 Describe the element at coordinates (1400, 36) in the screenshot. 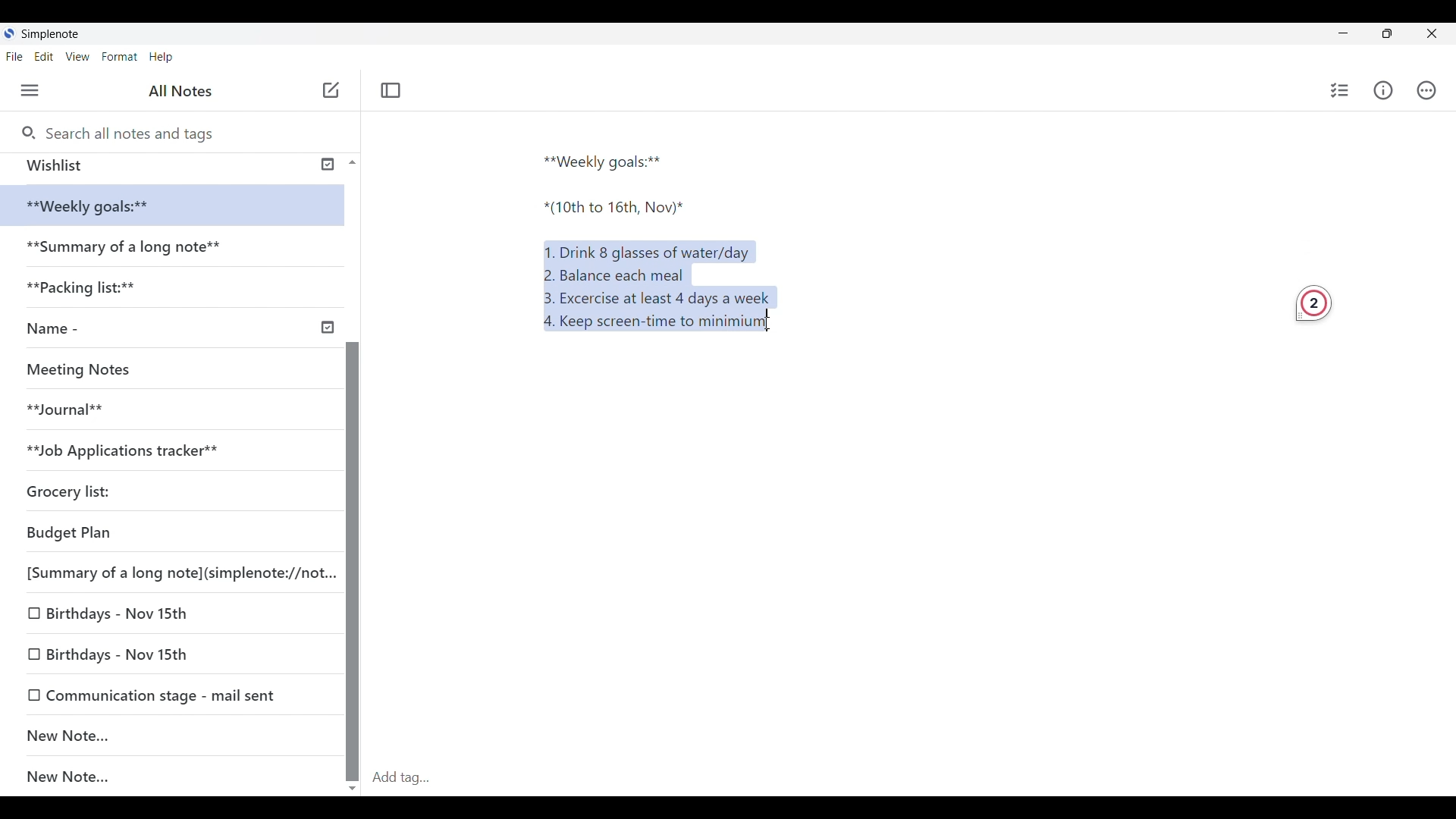

I see `restore` at that location.